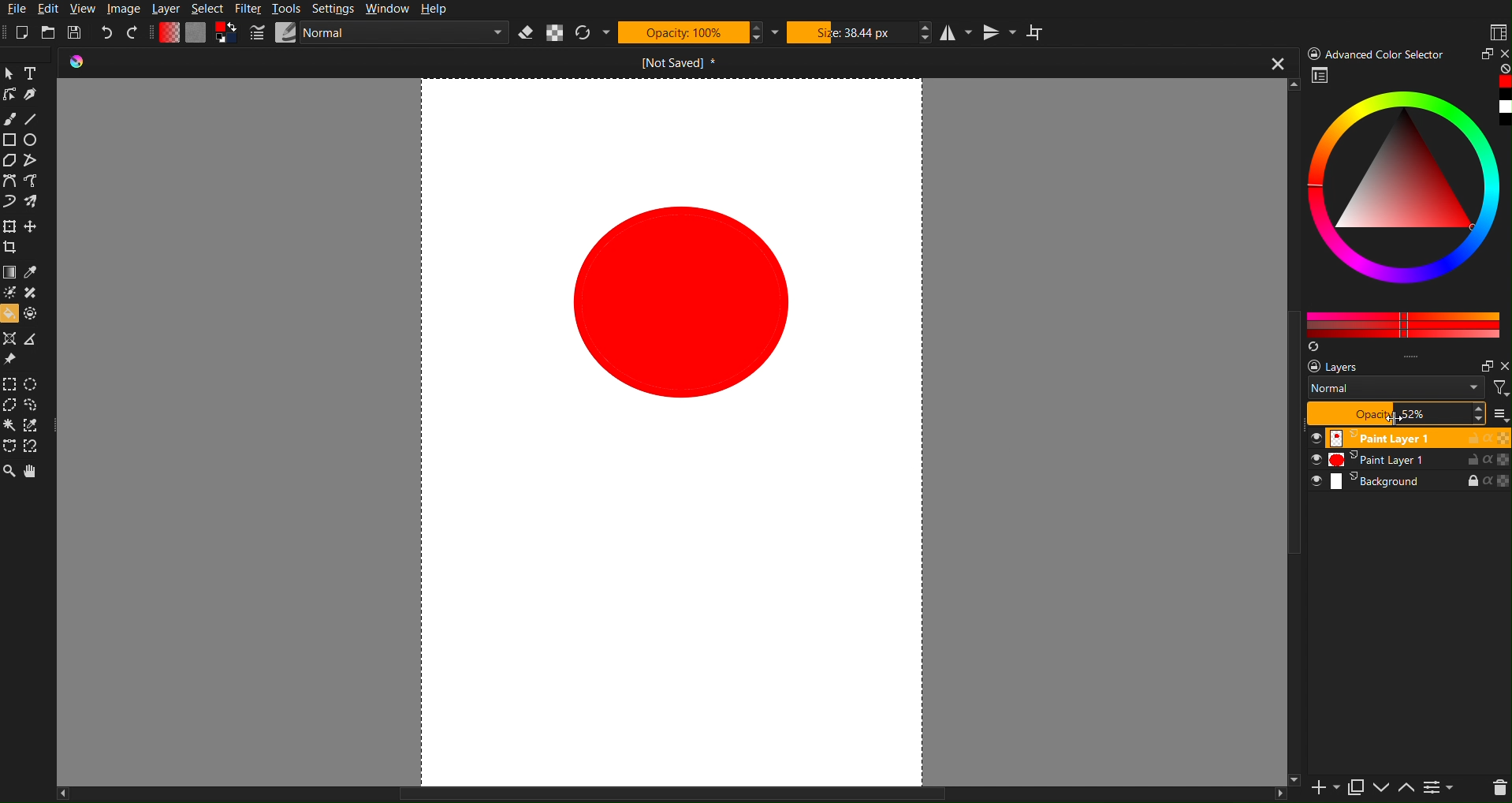  What do you see at coordinates (76, 34) in the screenshot?
I see `Save` at bounding box center [76, 34].